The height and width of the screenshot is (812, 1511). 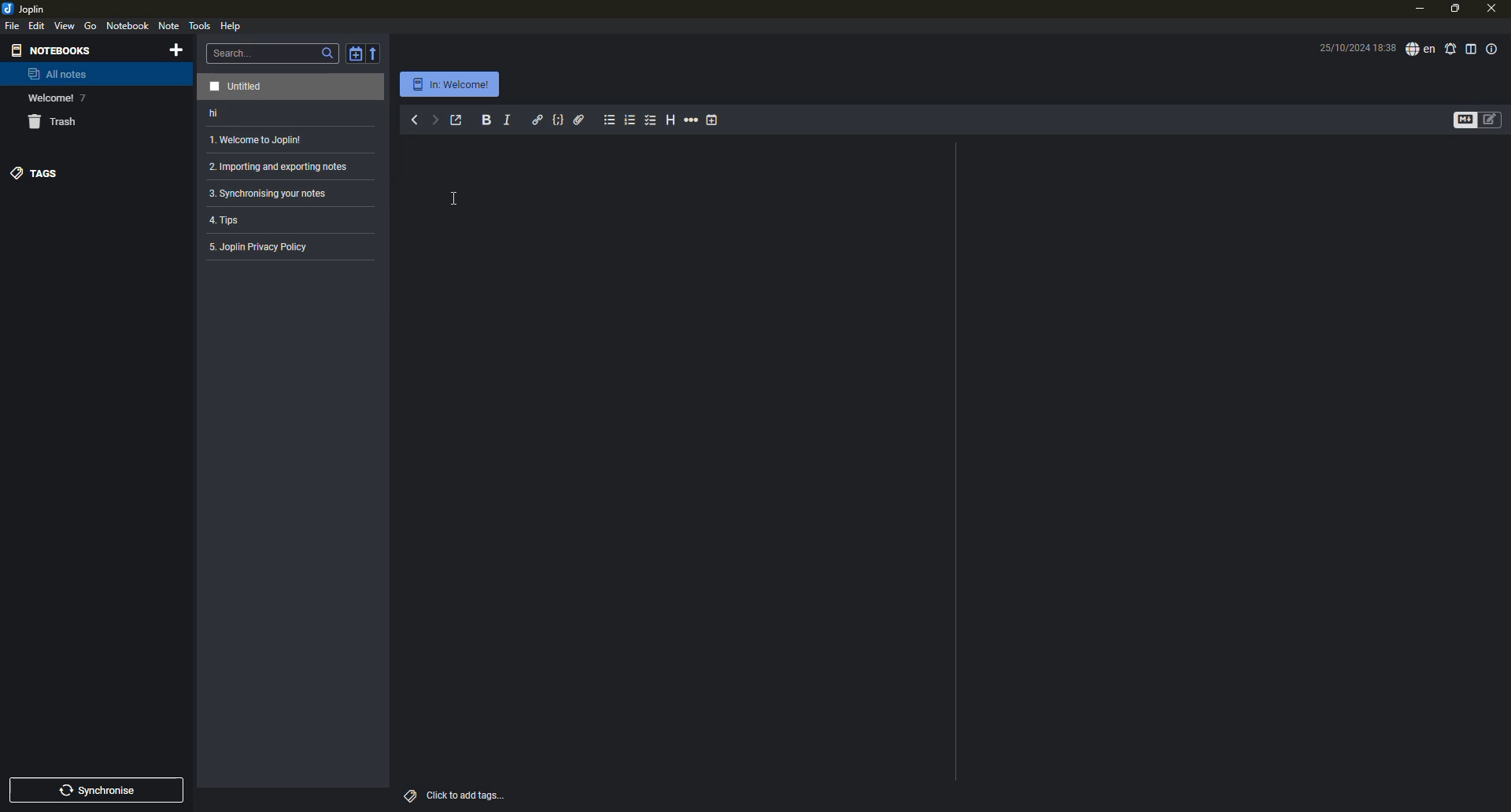 I want to click on edit, so click(x=36, y=26).